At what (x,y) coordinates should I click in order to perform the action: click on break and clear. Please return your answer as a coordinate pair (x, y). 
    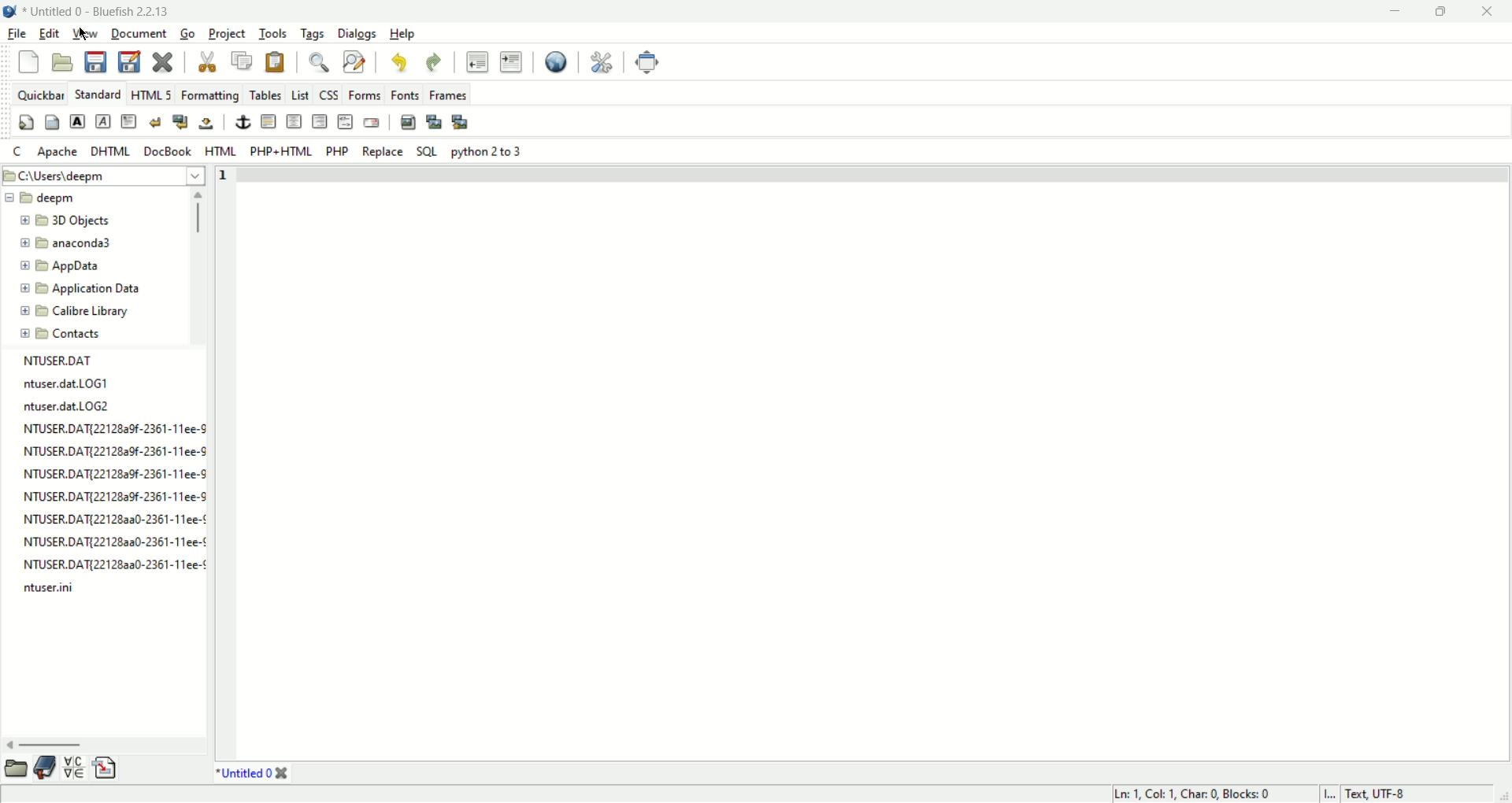
    Looking at the image, I should click on (180, 122).